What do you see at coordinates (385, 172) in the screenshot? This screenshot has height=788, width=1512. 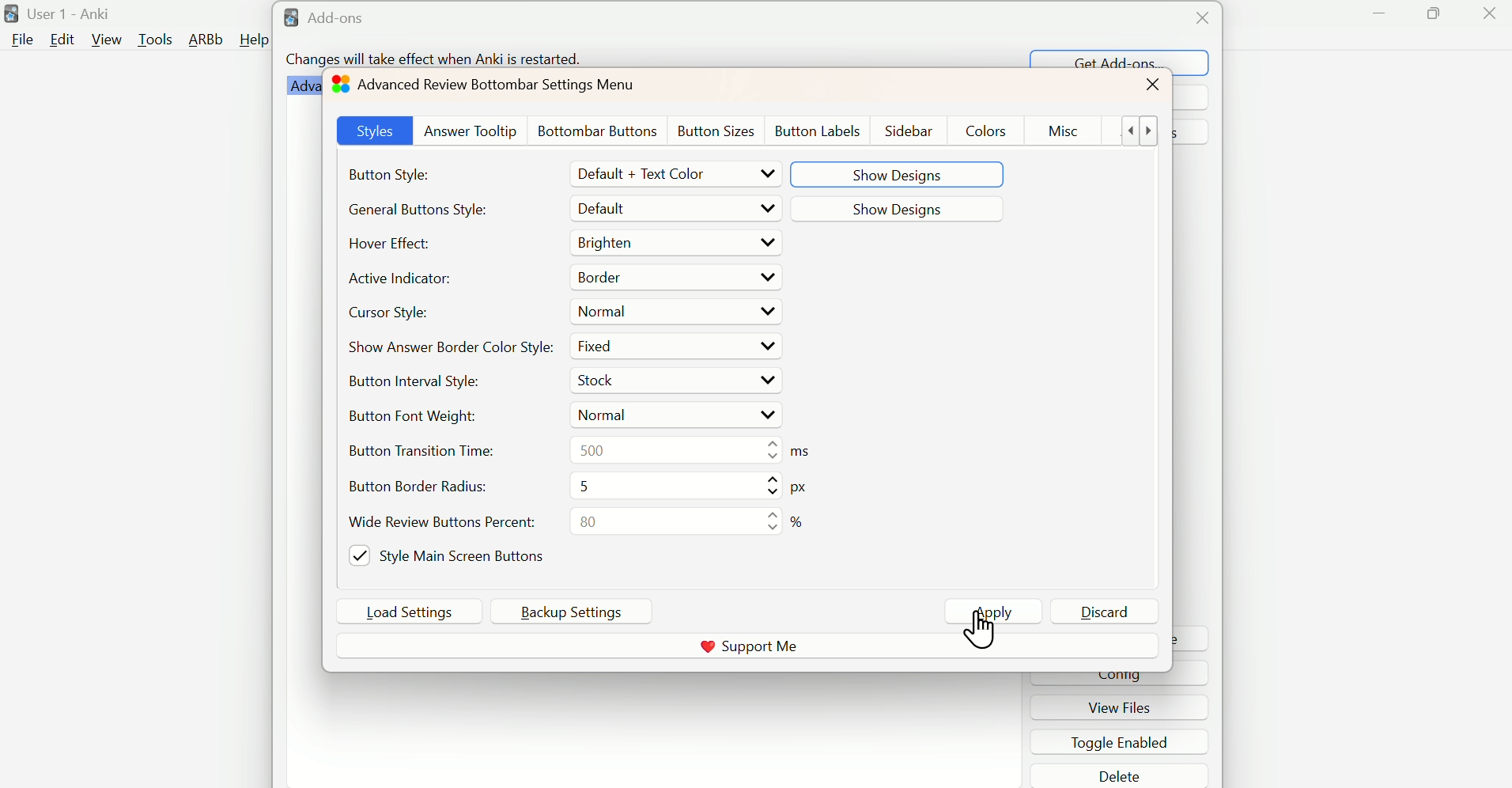 I see `Button Style:` at bounding box center [385, 172].